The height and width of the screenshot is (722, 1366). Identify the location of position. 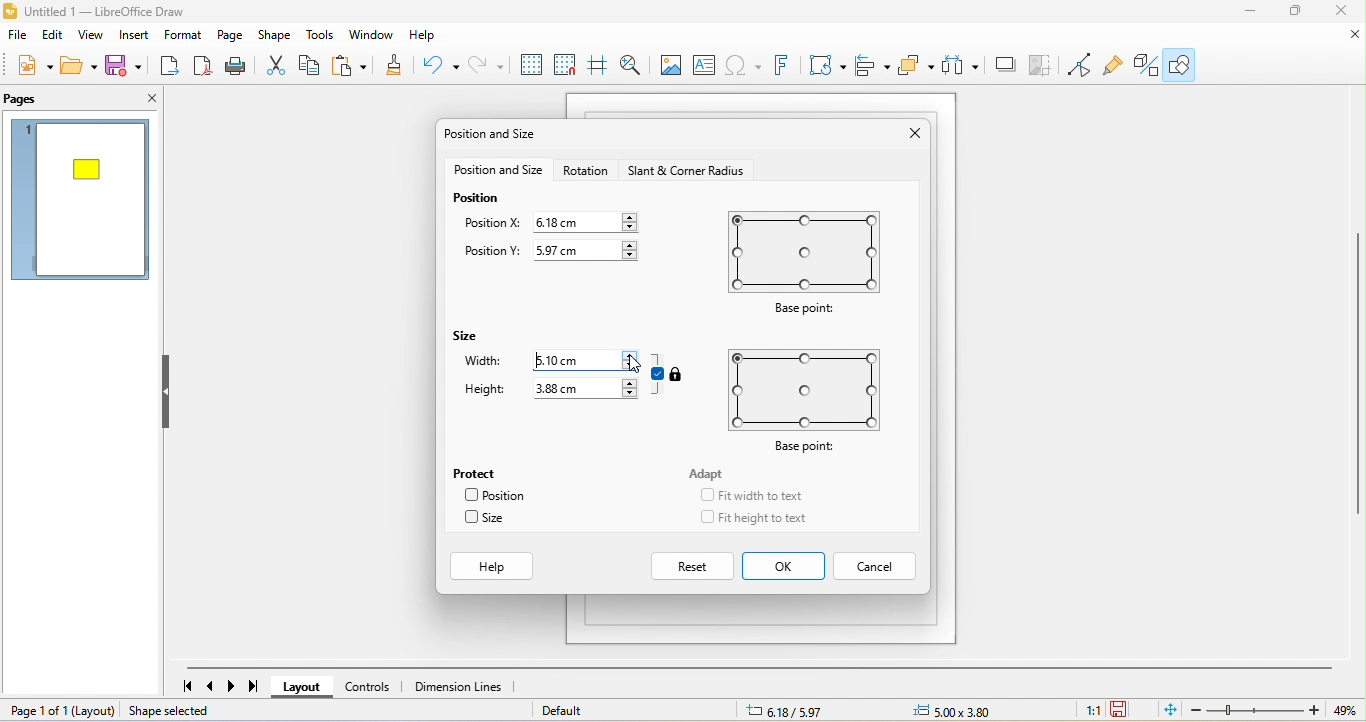
(473, 200).